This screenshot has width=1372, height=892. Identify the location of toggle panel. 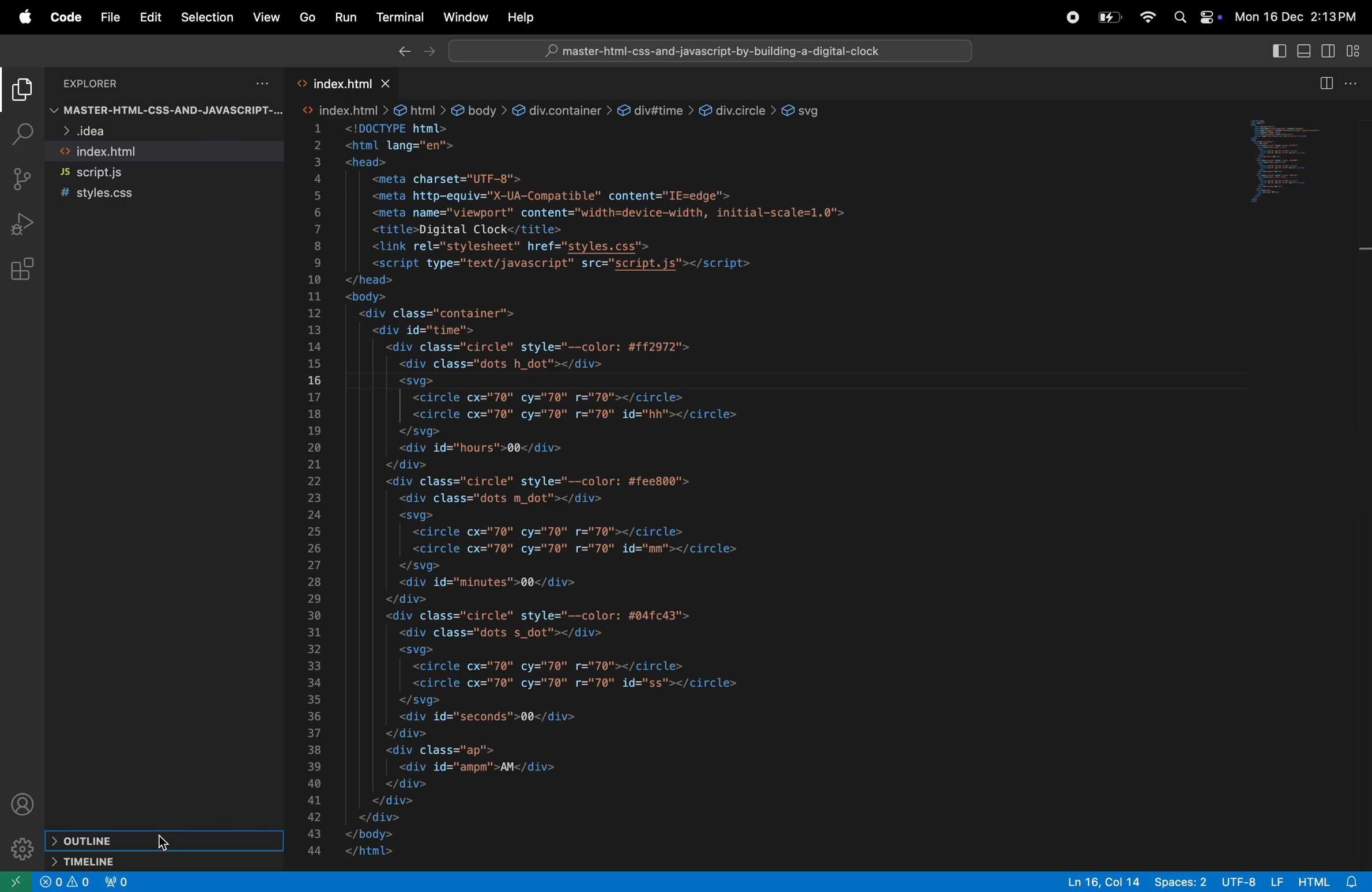
(1307, 50).